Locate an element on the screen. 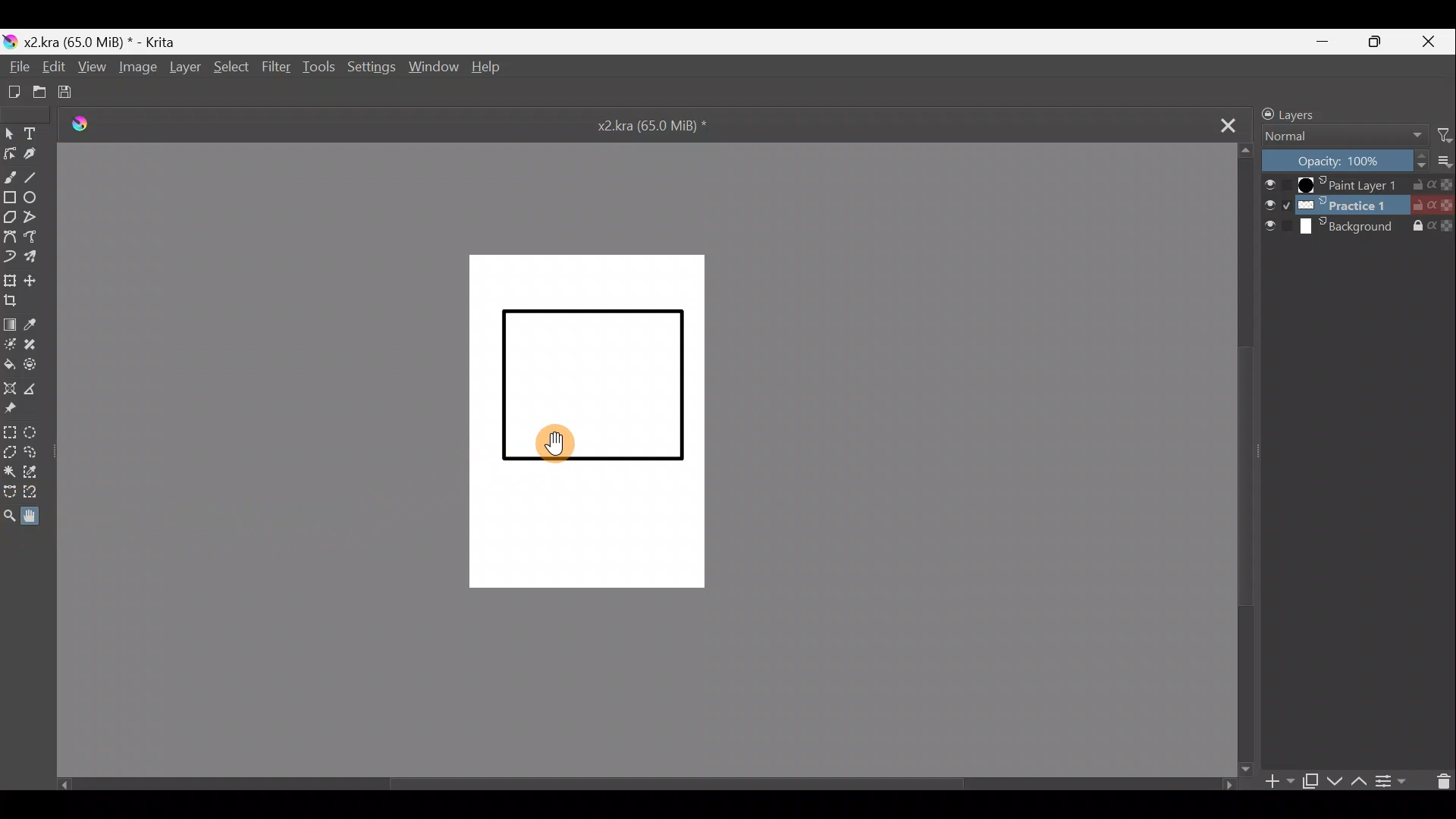 The image size is (1456, 819). Transform a layer/selection is located at coordinates (9, 279).